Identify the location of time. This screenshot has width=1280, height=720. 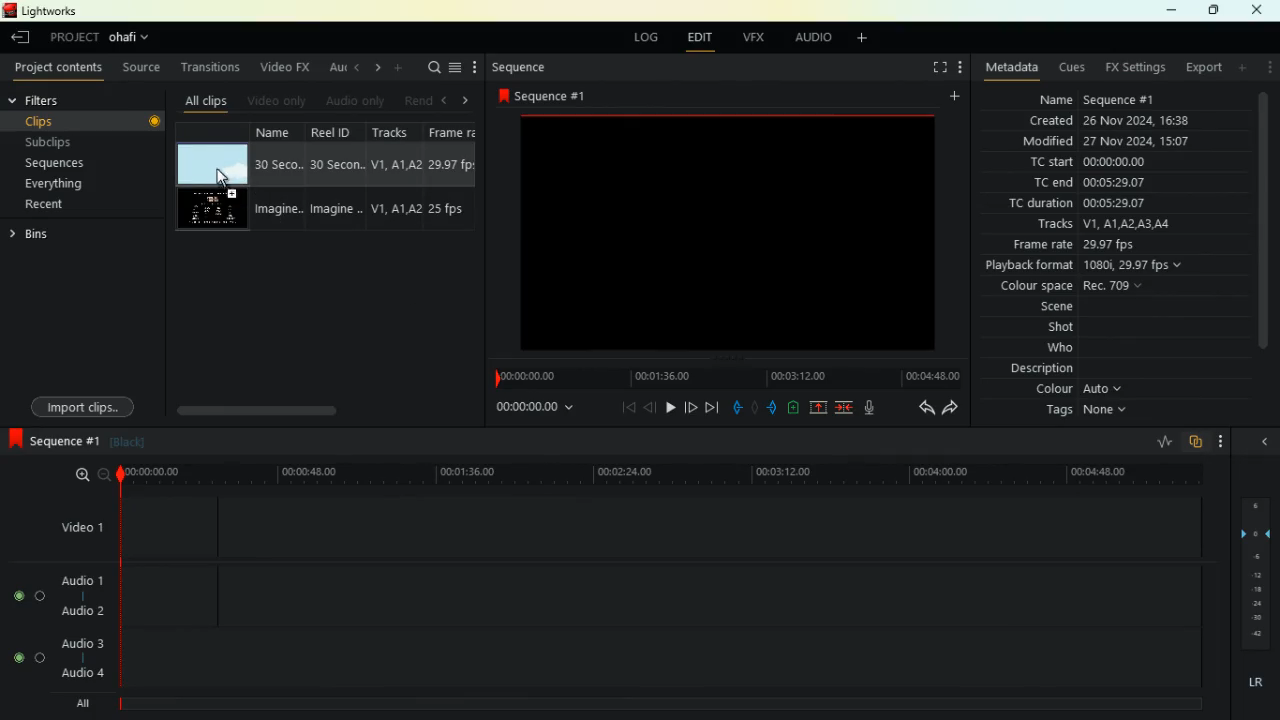
(524, 410).